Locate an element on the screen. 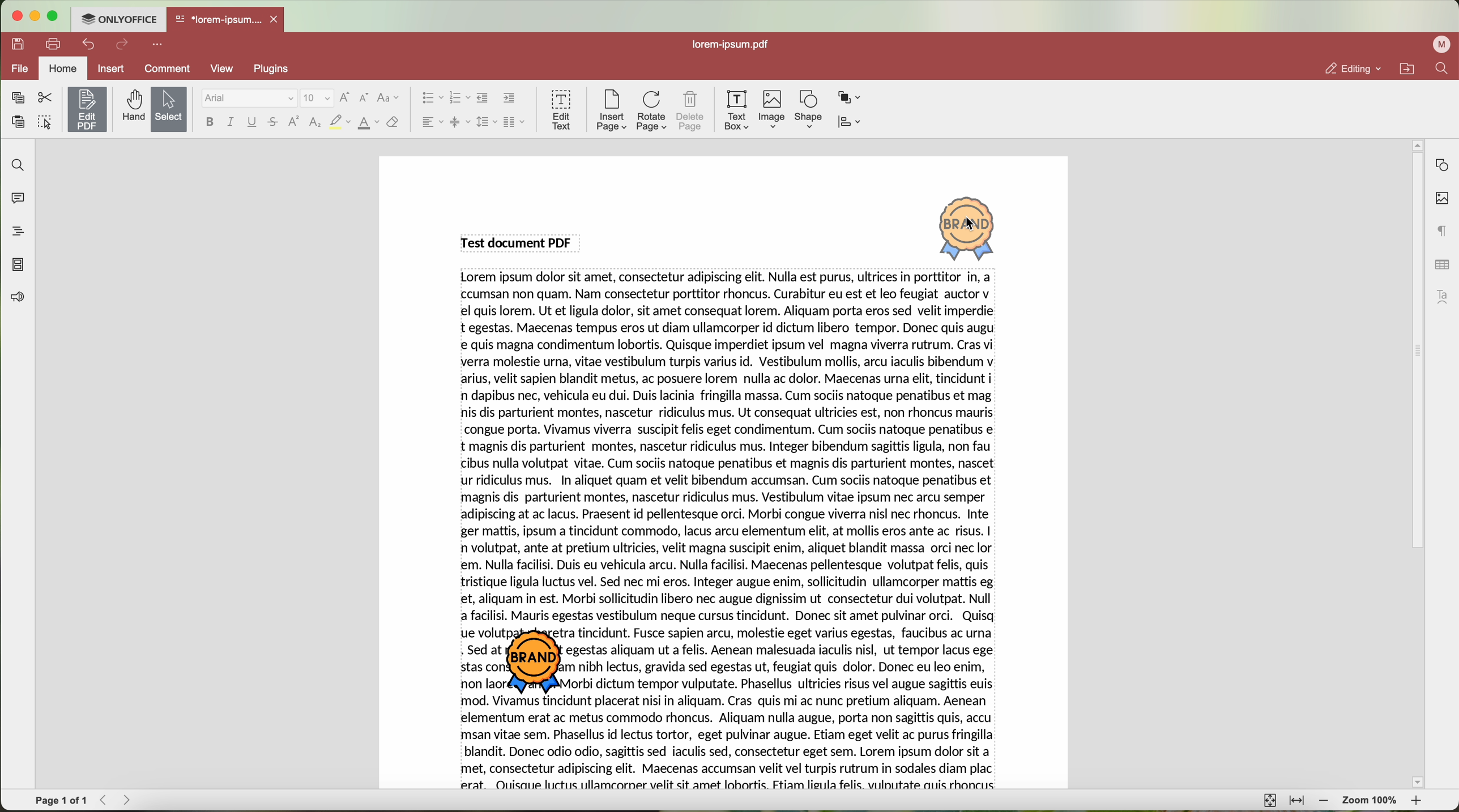 The image size is (1459, 812). decrement font size is located at coordinates (364, 99).